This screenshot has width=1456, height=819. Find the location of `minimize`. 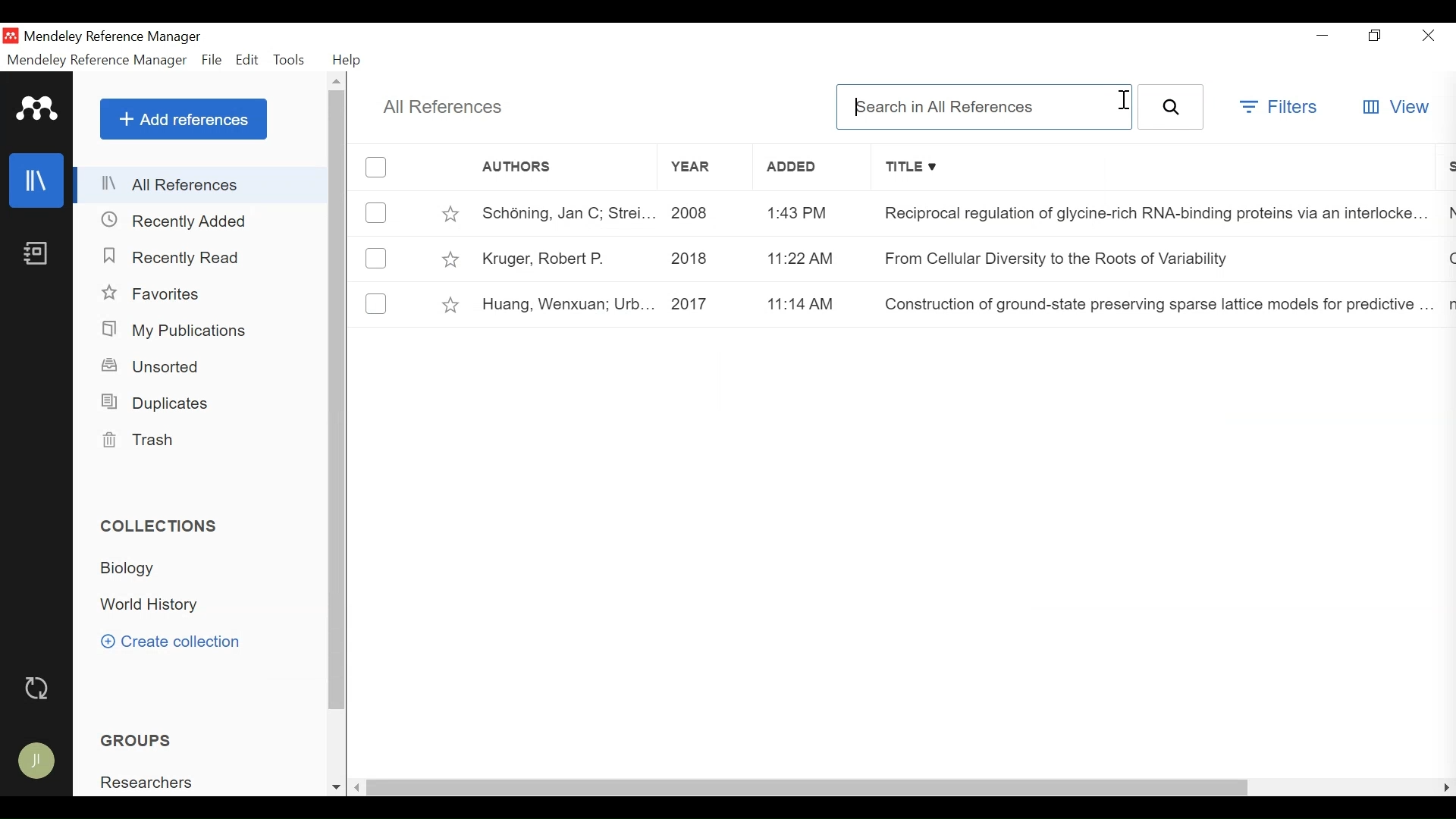

minimize is located at coordinates (1321, 33).